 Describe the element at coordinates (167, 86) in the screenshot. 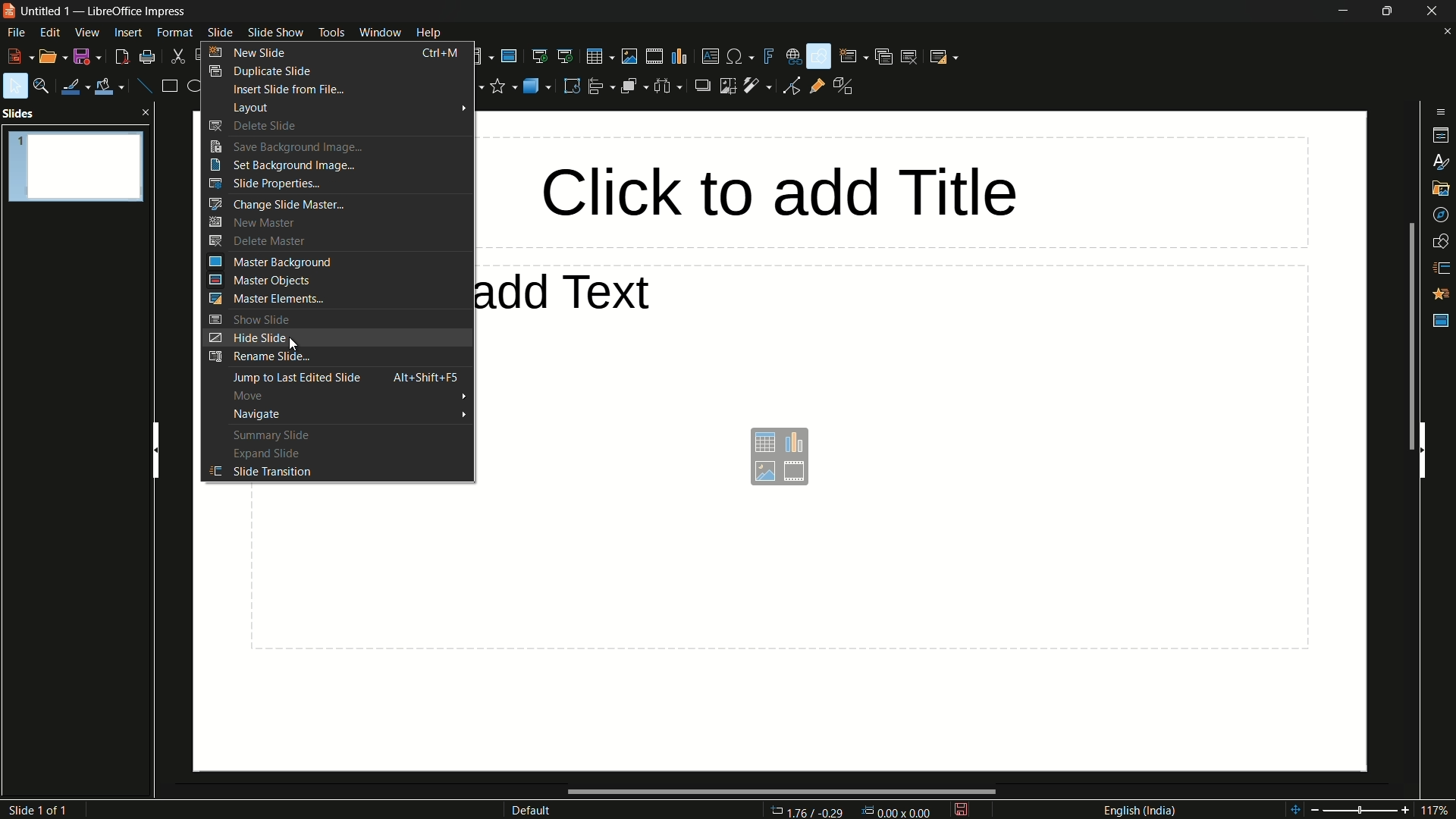

I see `rectangle` at that location.